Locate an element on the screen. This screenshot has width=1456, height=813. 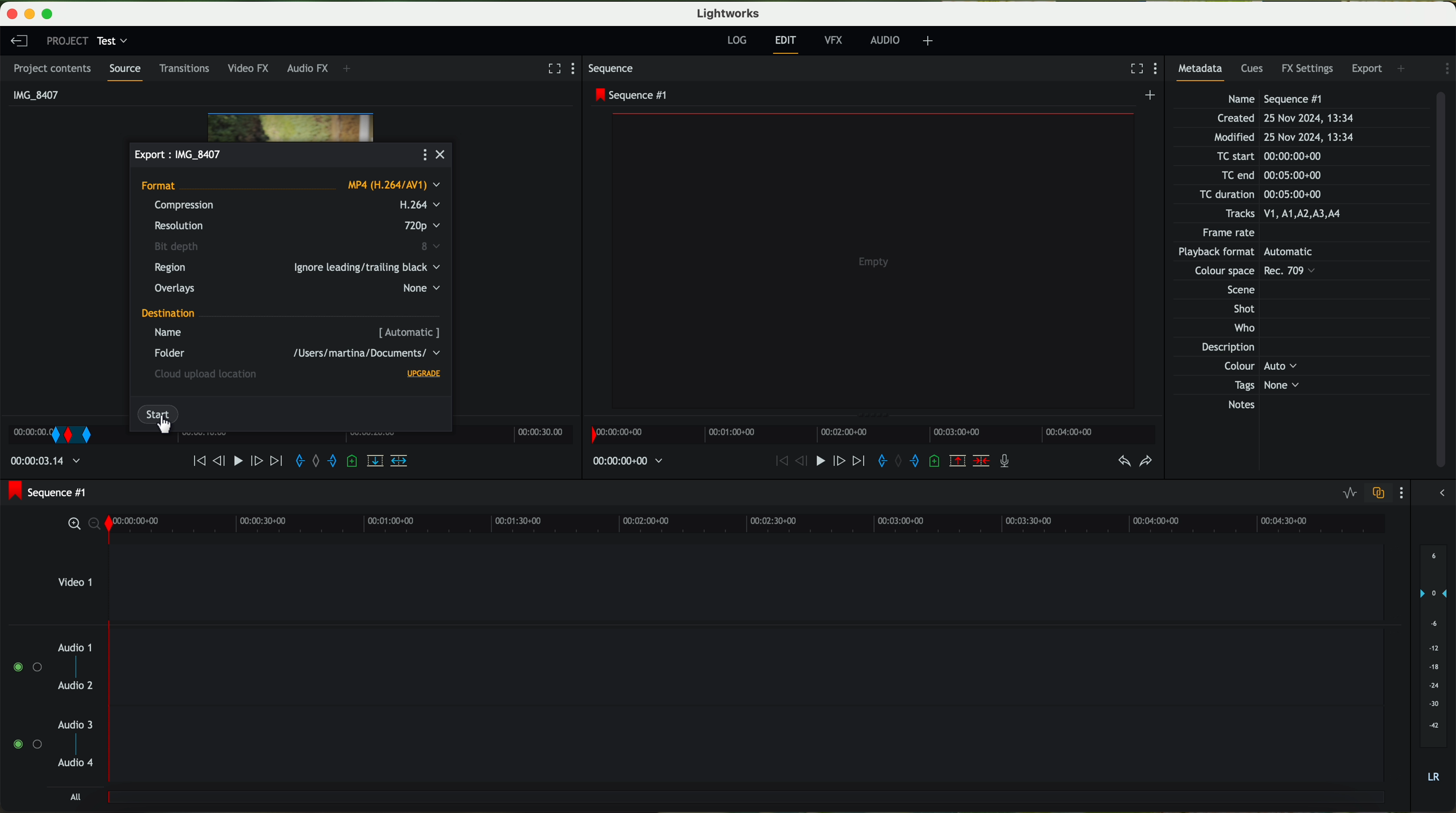
redo is located at coordinates (1146, 462).